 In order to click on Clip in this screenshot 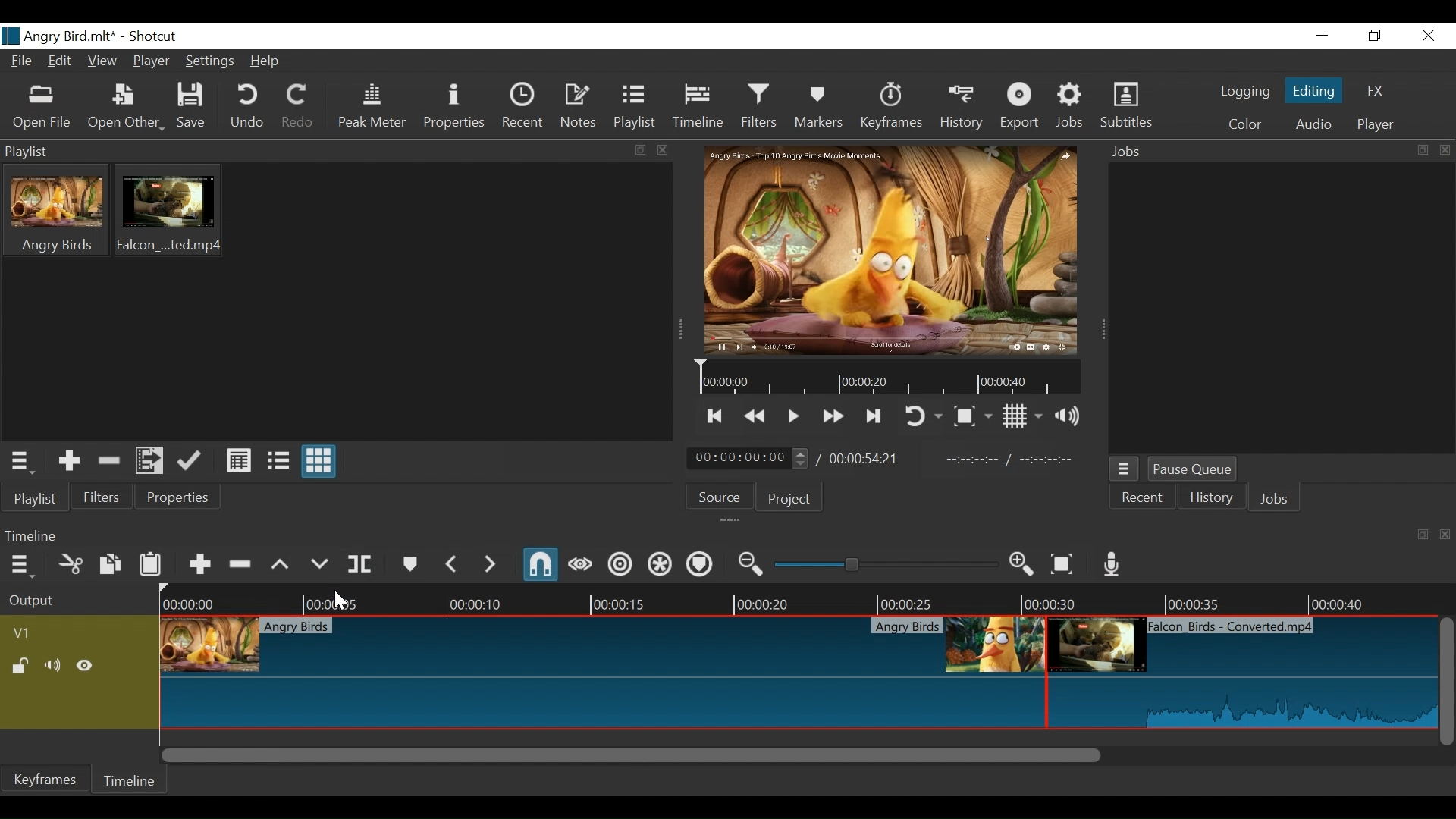, I will do `click(169, 209)`.